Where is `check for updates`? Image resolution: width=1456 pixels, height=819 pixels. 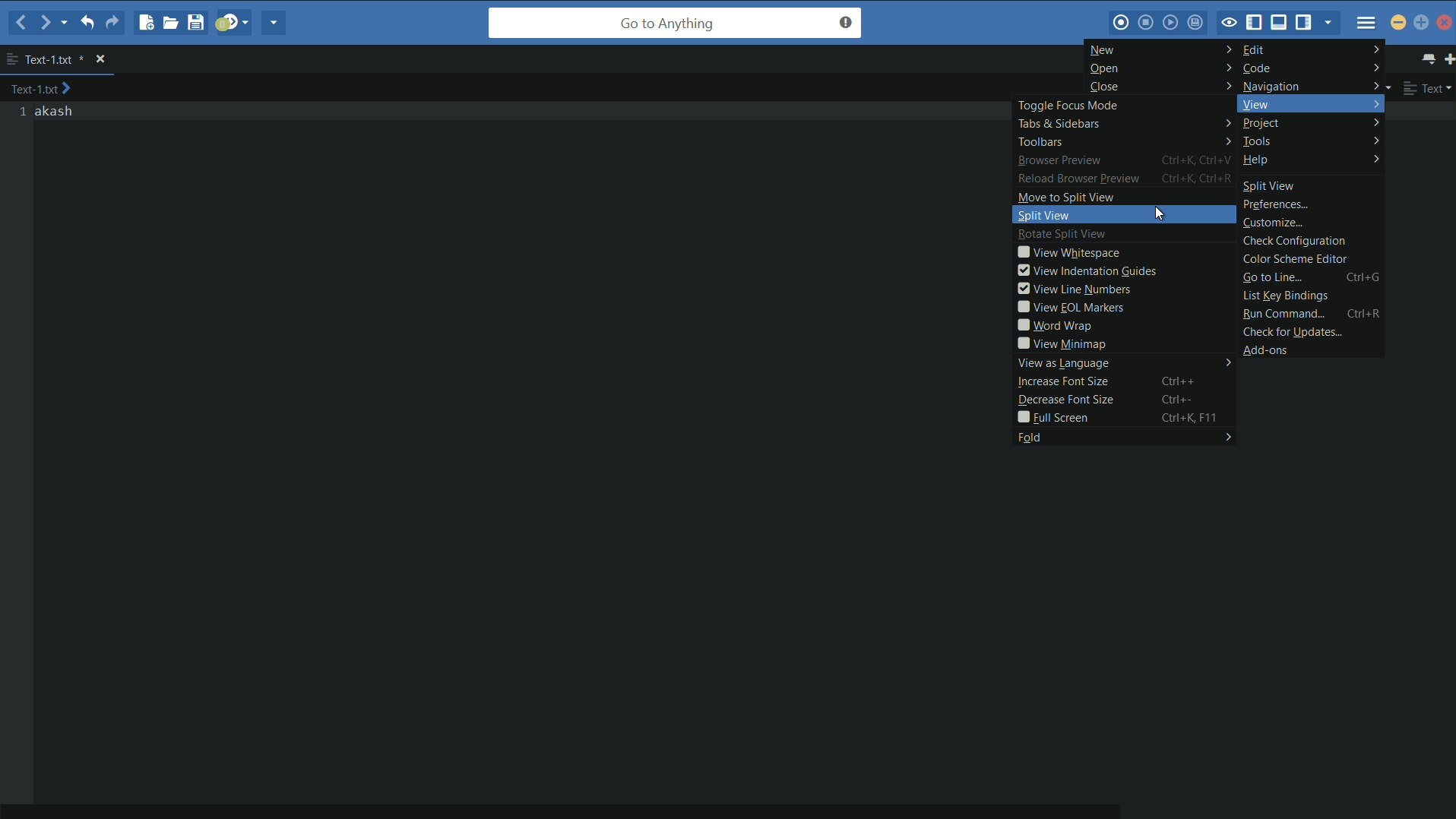
check for updates is located at coordinates (1311, 330).